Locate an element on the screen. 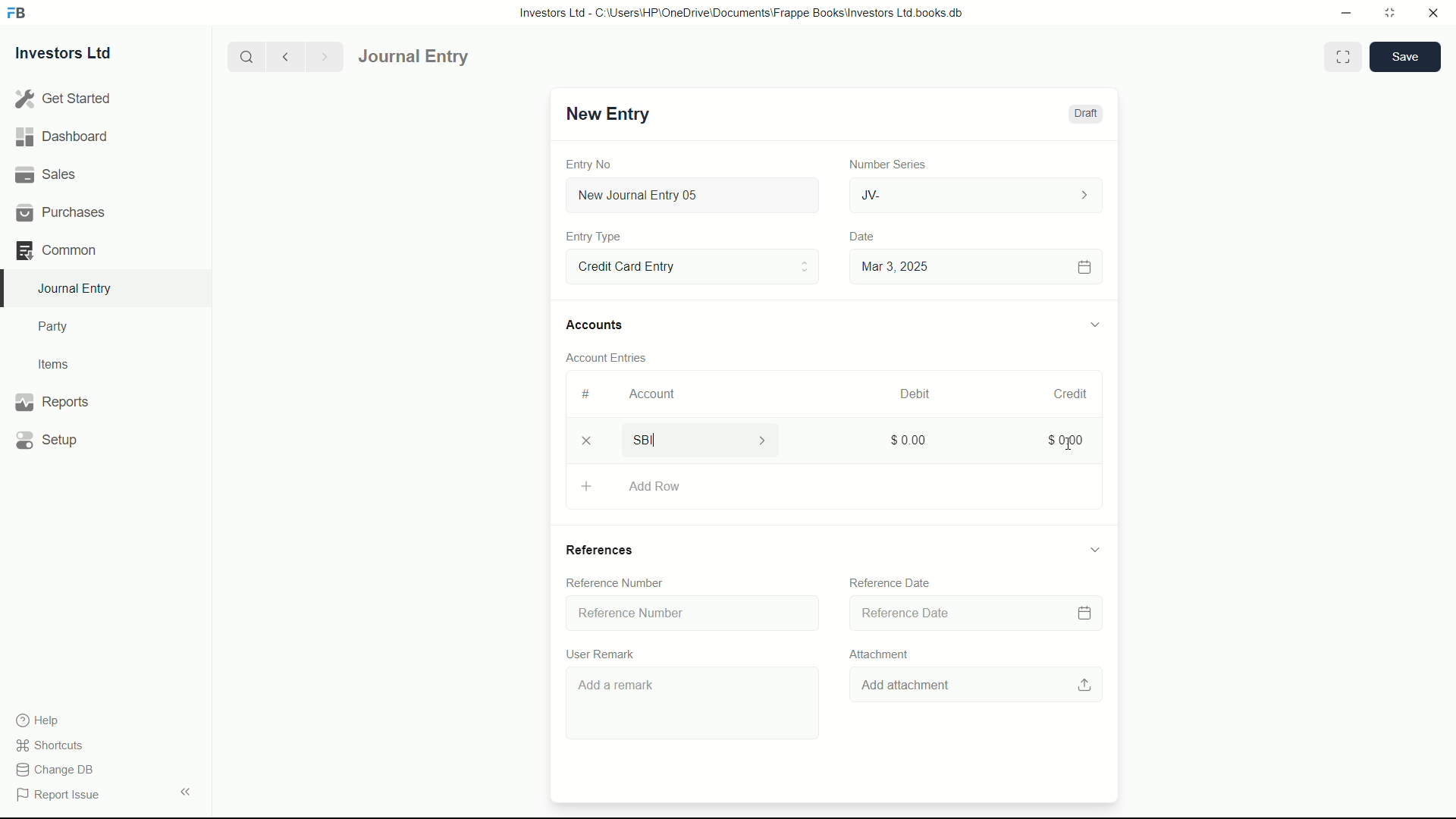  Account is located at coordinates (653, 394).